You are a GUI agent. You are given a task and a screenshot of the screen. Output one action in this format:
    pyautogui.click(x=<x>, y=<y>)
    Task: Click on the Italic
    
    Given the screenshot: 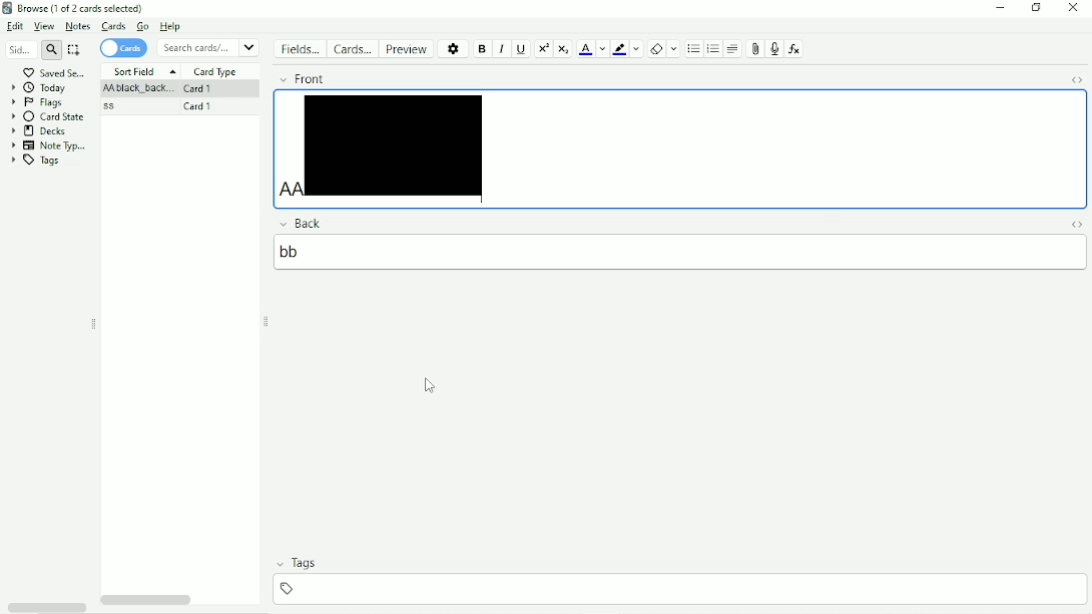 What is the action you would take?
    pyautogui.click(x=501, y=49)
    